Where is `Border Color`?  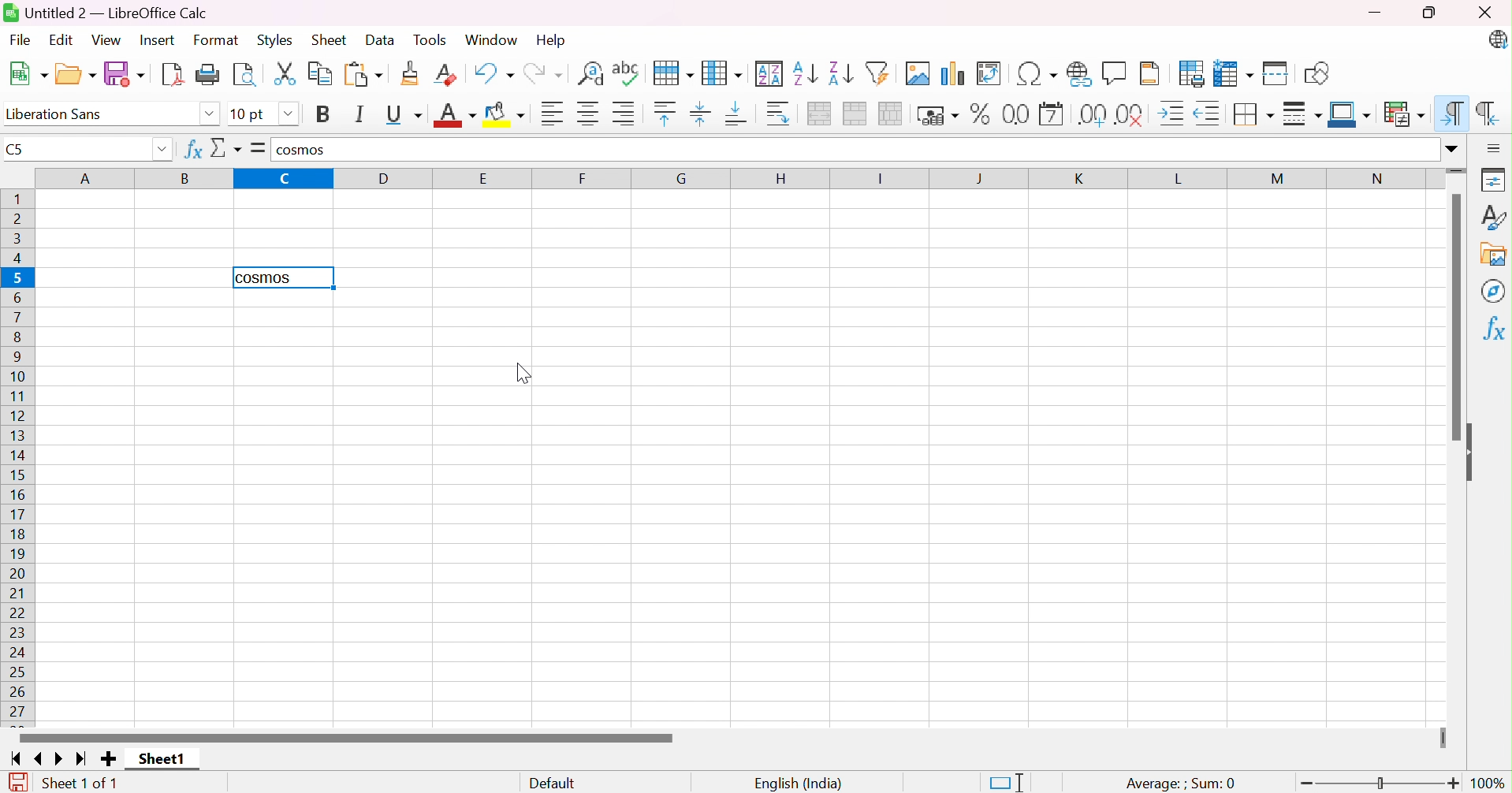
Border Color is located at coordinates (1350, 114).